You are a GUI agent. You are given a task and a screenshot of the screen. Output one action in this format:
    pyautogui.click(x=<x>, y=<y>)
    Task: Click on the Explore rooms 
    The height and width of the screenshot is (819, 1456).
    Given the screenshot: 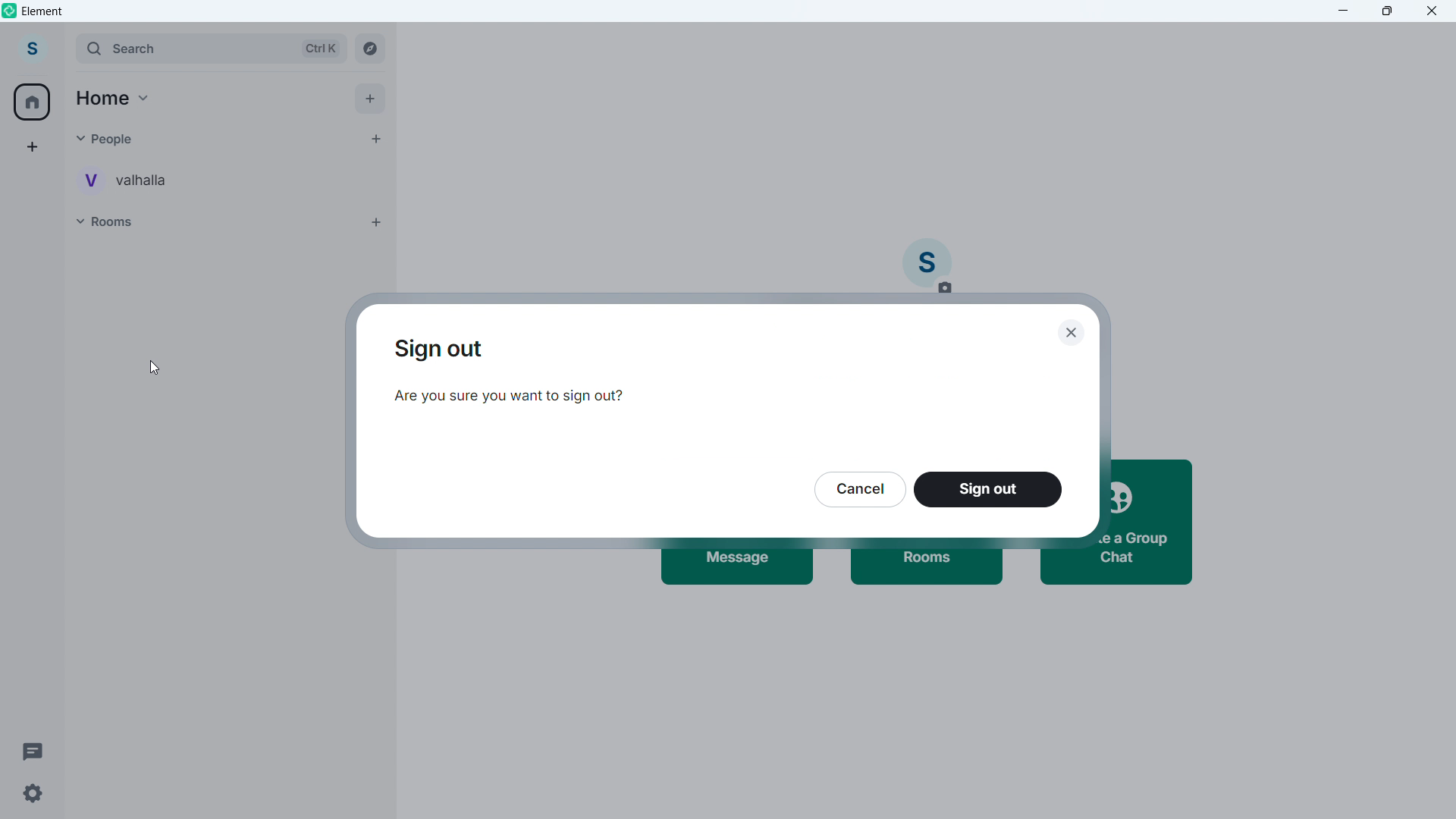 What is the action you would take?
    pyautogui.click(x=370, y=47)
    